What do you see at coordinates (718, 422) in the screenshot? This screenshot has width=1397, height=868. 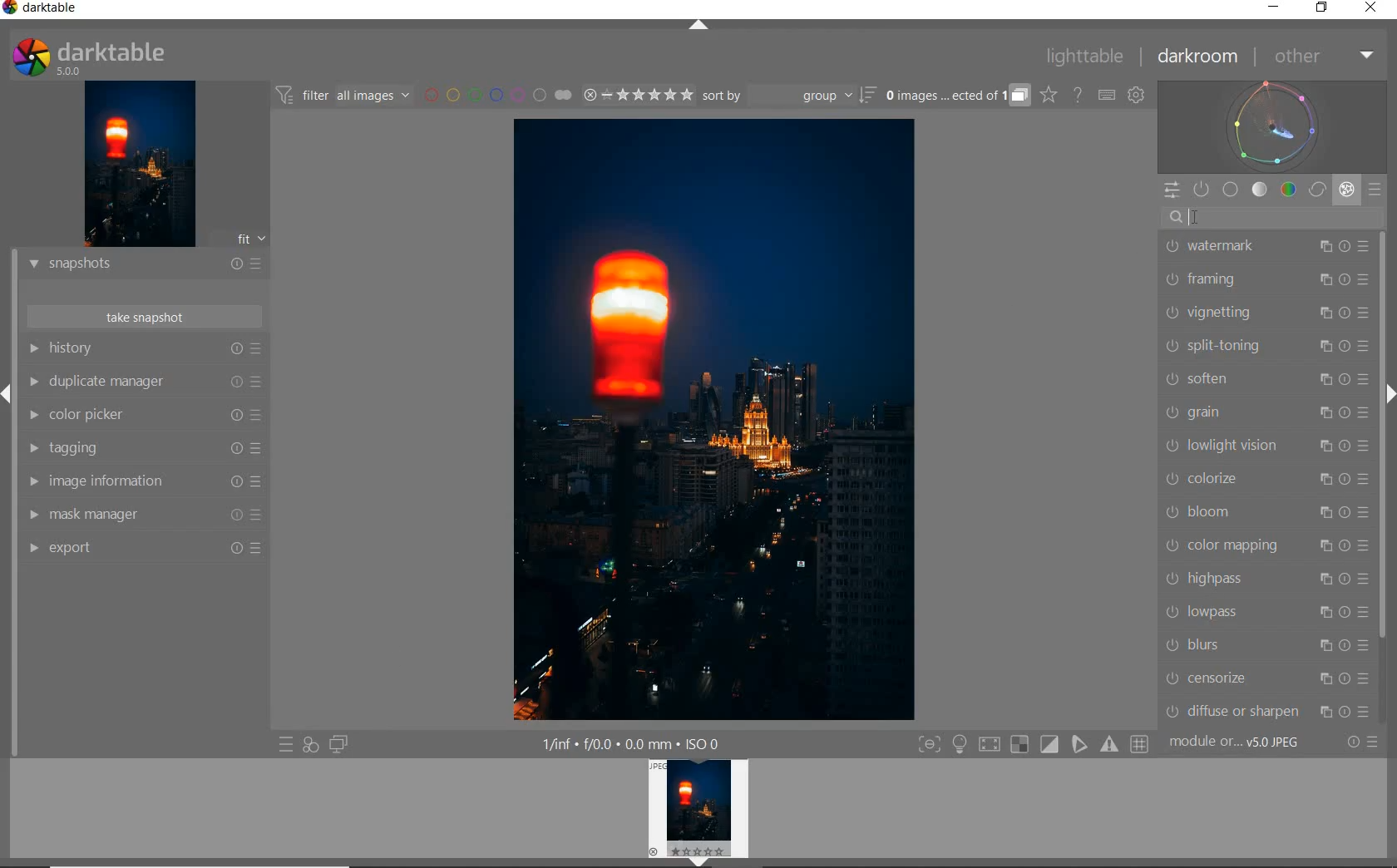 I see `SELECTED IMAGE` at bounding box center [718, 422].